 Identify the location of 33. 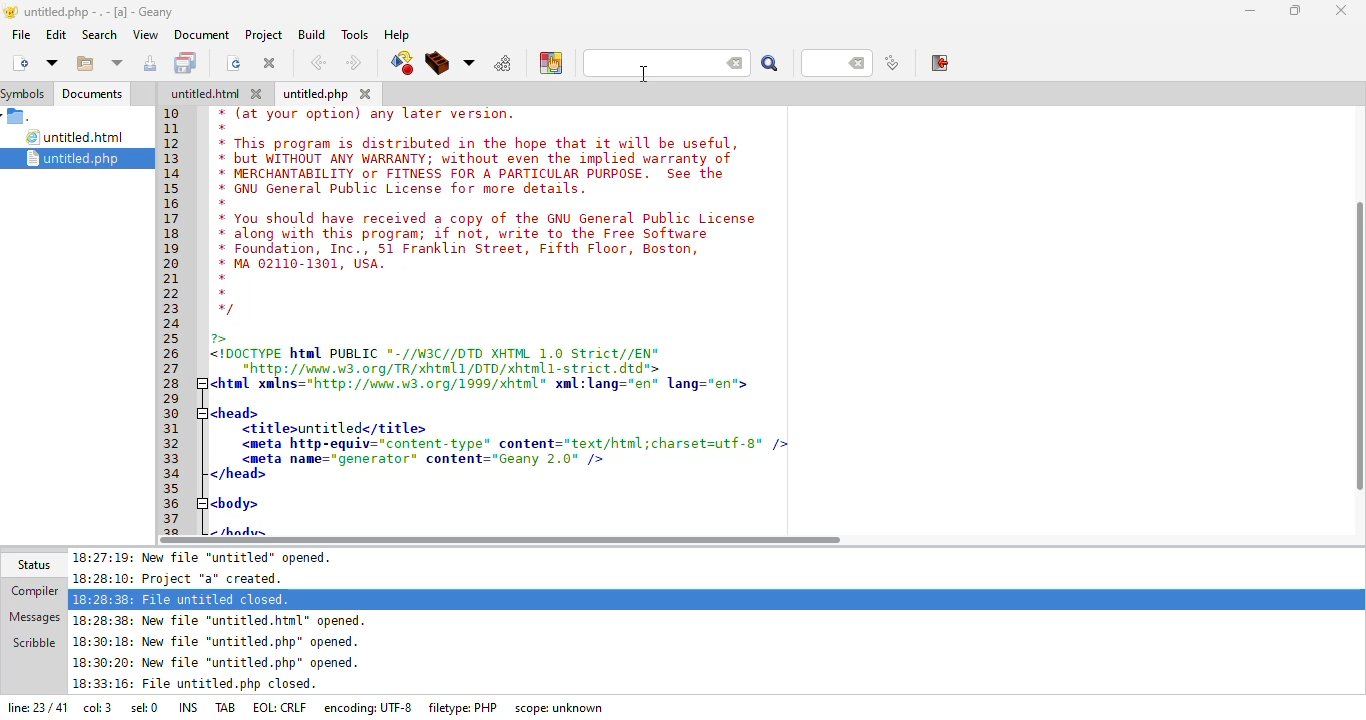
(172, 459).